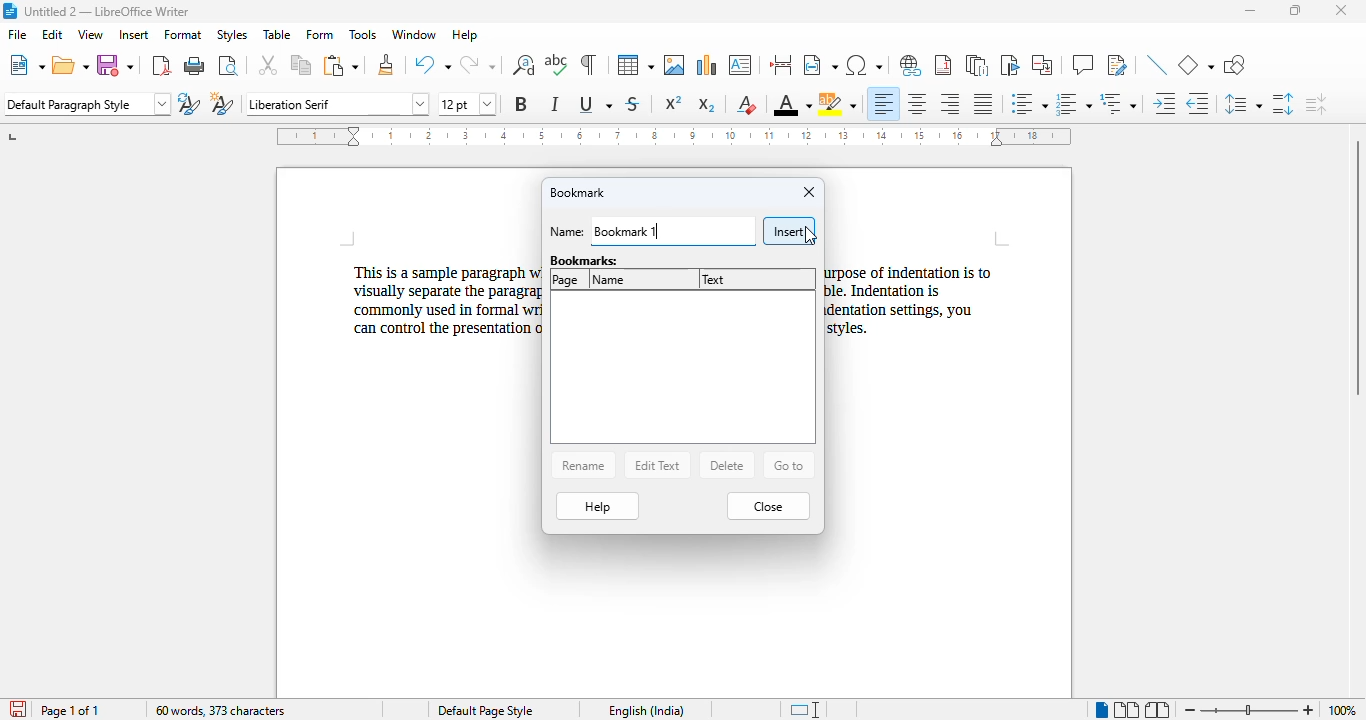  I want to click on insert cross-reference, so click(1043, 65).